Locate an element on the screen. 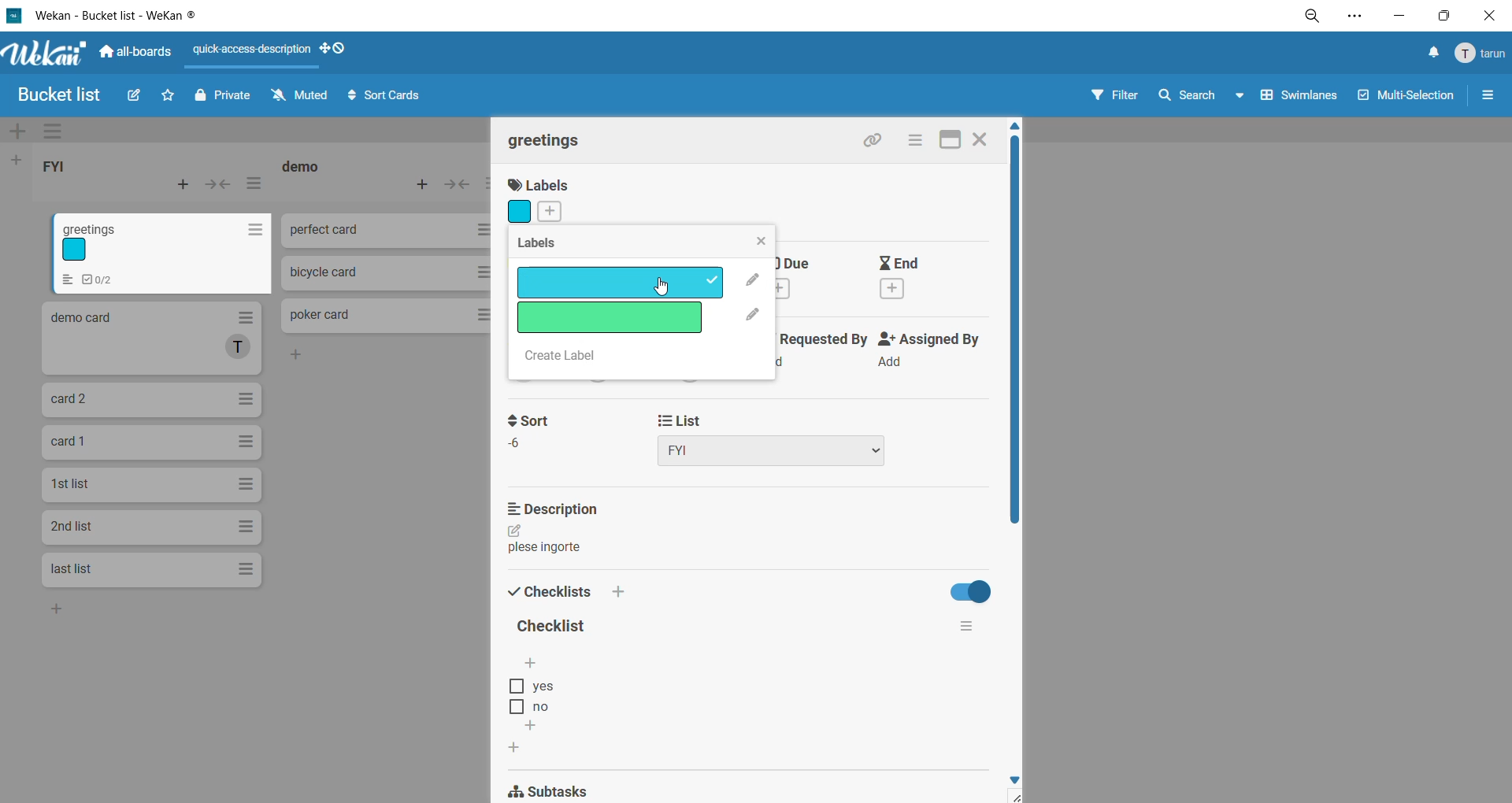  checklist option is located at coordinates (532, 707).